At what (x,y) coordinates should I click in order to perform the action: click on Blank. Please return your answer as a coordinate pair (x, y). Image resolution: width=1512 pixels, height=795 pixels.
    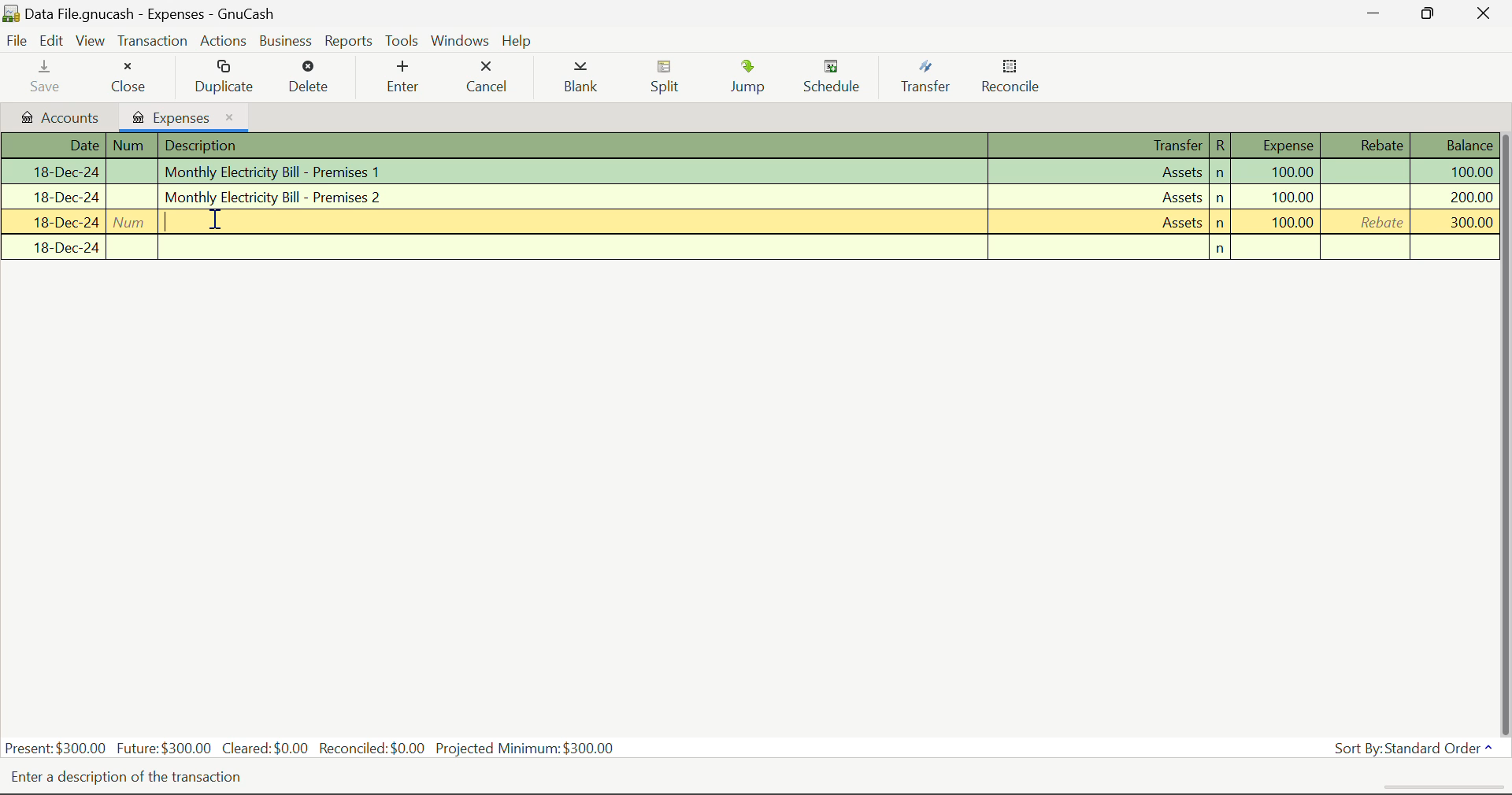
    Looking at the image, I should click on (586, 79).